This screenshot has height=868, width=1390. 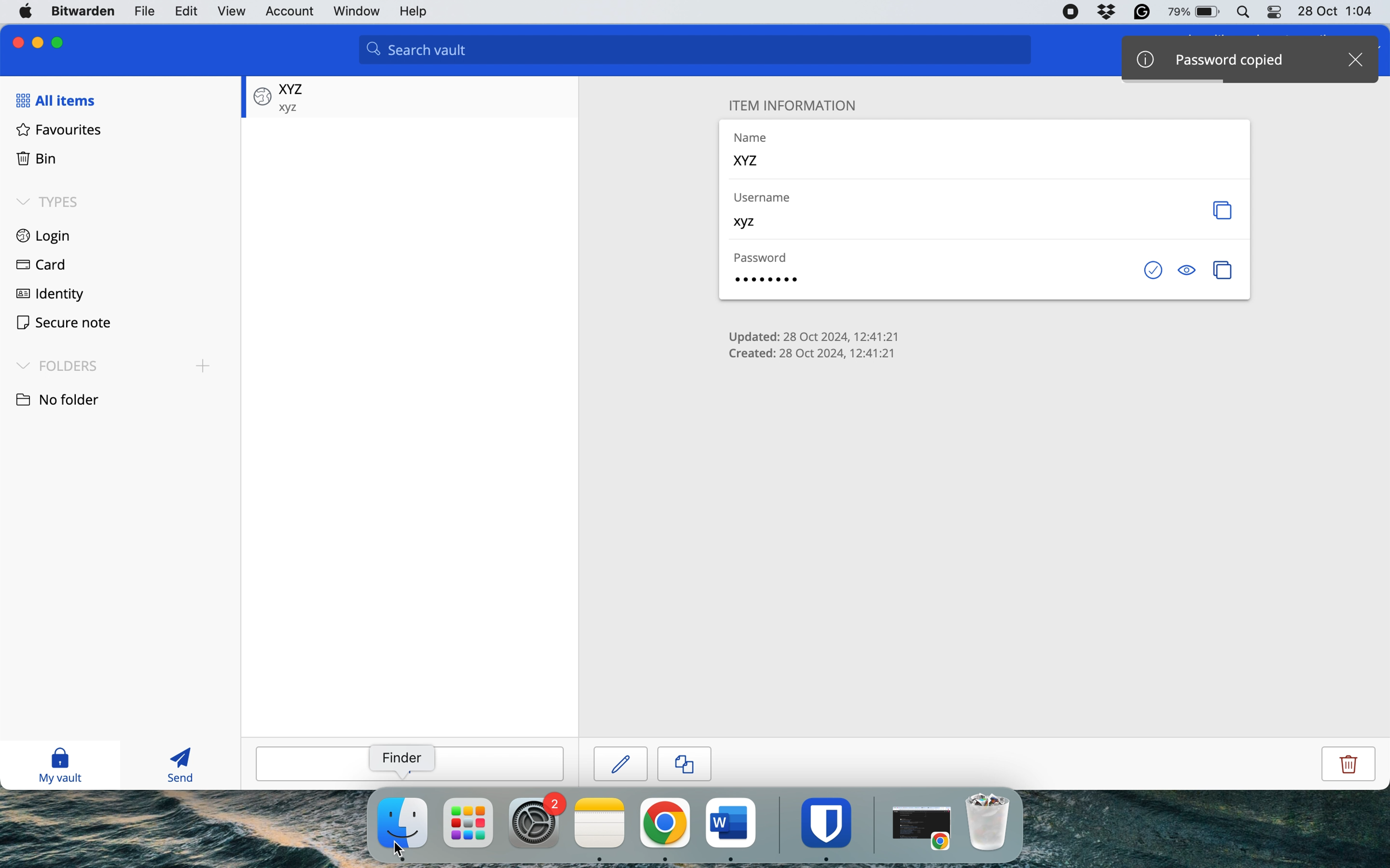 I want to click on login, so click(x=45, y=234).